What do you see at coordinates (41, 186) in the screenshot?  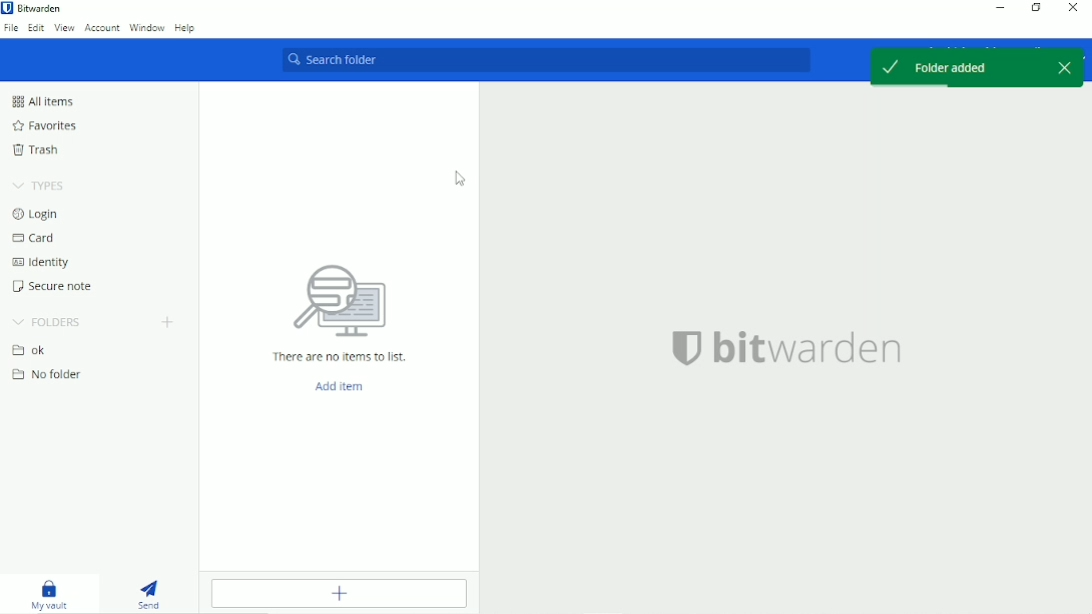 I see `Types` at bounding box center [41, 186].